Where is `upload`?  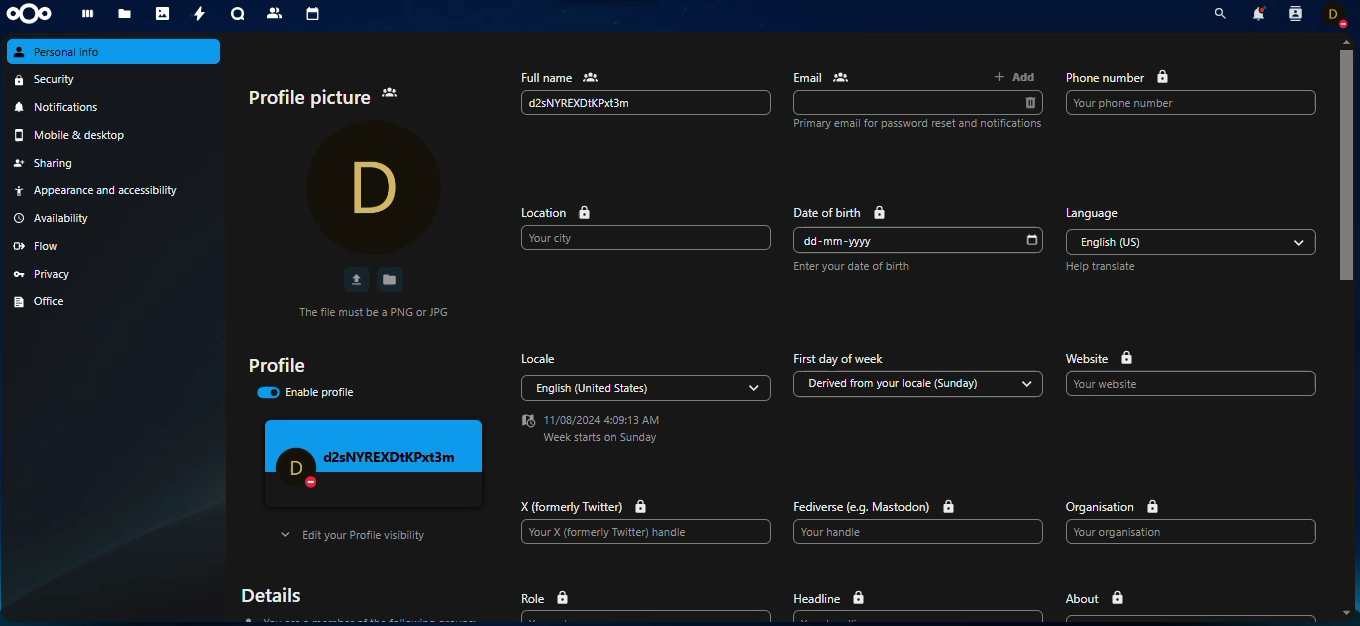 upload is located at coordinates (356, 280).